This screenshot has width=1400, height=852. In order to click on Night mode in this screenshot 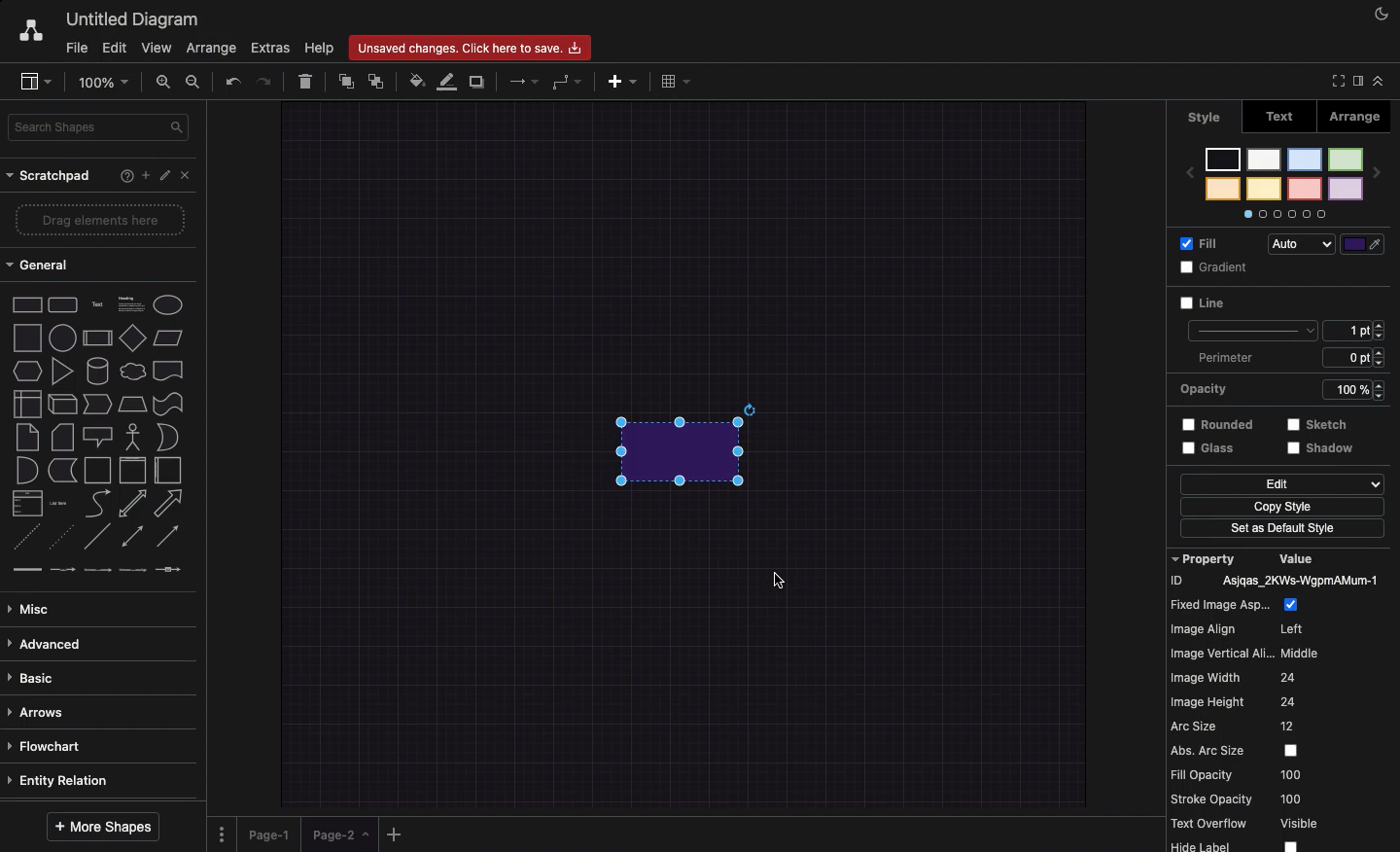, I will do `click(1382, 15)`.